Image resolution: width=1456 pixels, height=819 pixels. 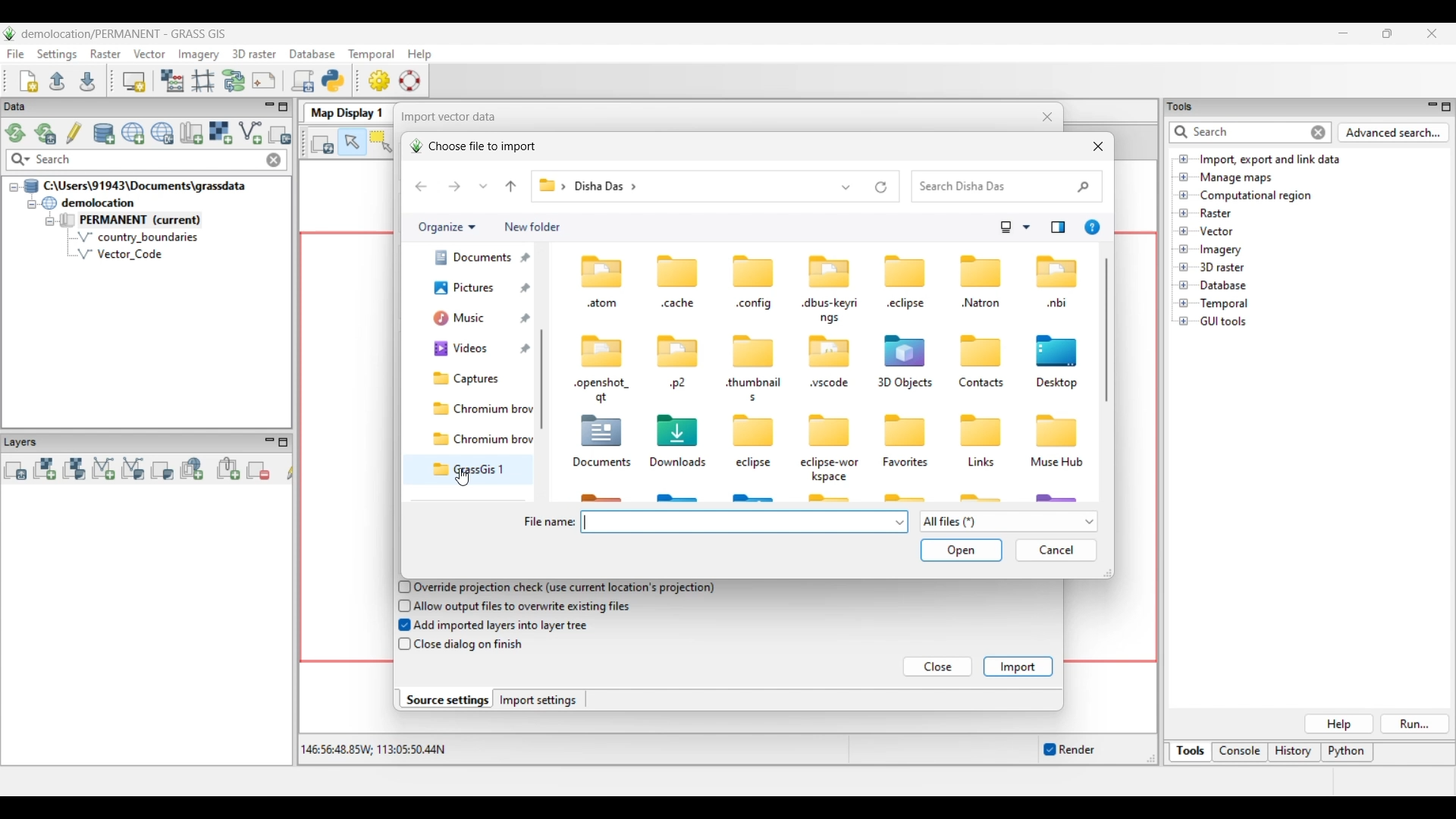 What do you see at coordinates (680, 463) in the screenshot?
I see `Downloads` at bounding box center [680, 463].